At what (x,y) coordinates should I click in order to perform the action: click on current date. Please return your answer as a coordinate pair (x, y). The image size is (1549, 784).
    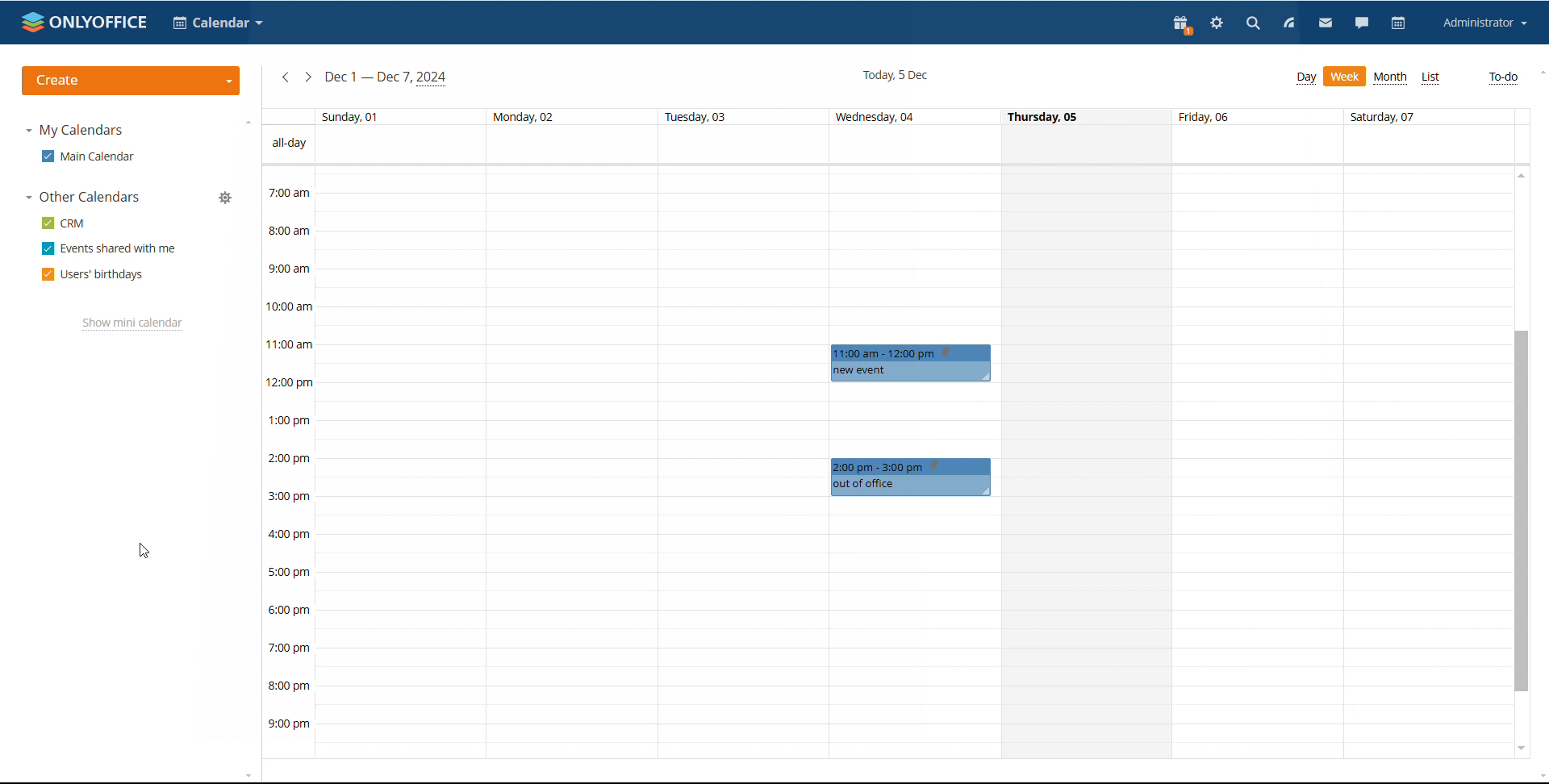
    Looking at the image, I should click on (894, 76).